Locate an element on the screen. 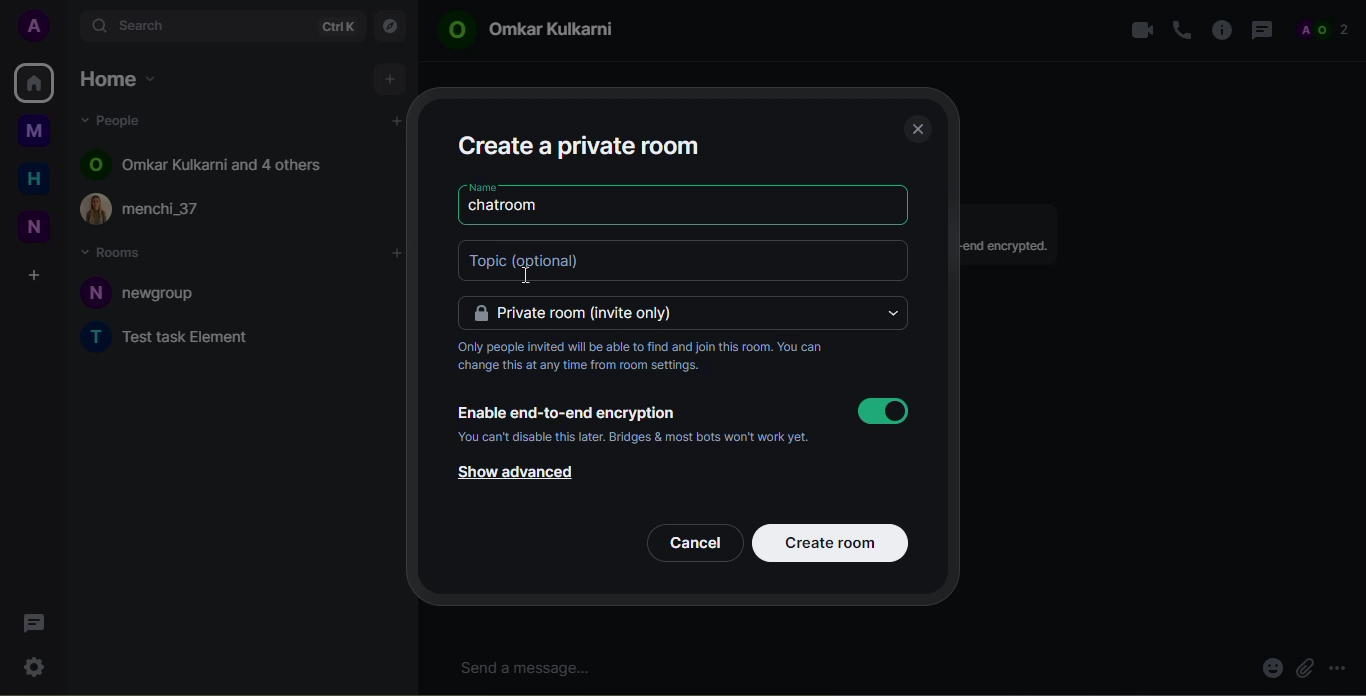  chatroom is located at coordinates (507, 206).